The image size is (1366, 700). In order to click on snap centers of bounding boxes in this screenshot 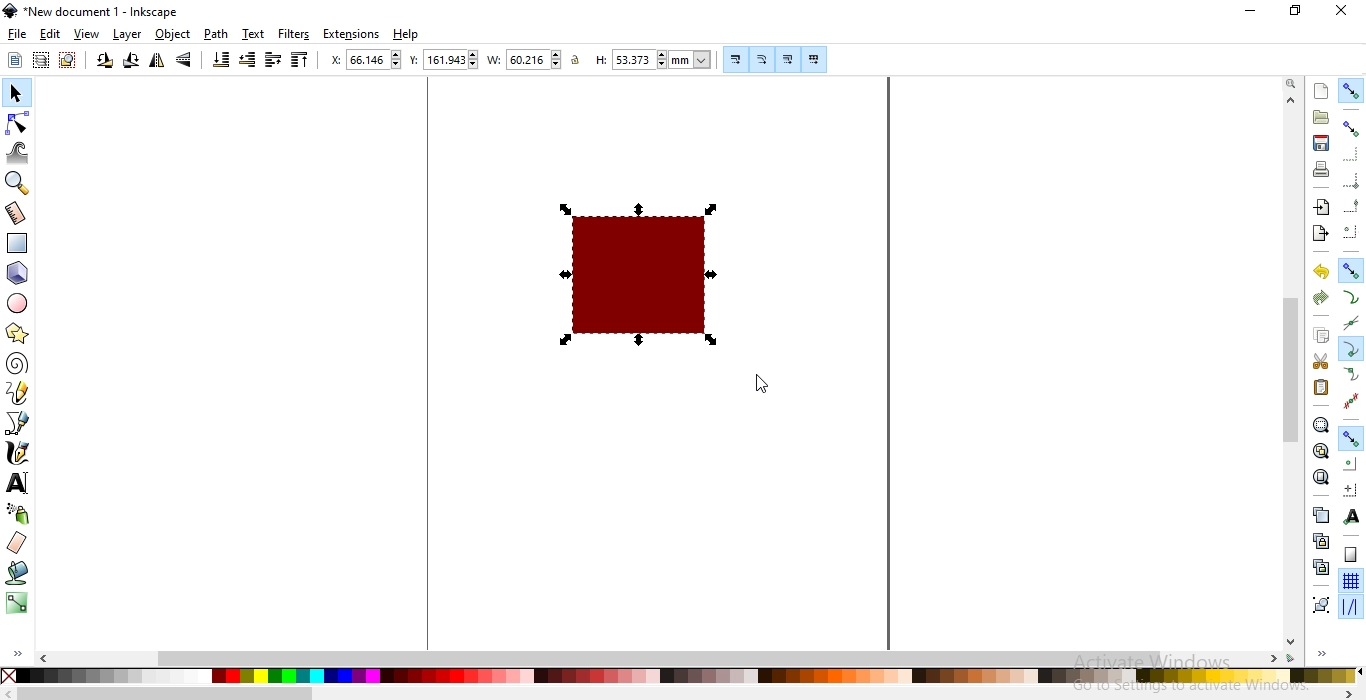, I will do `click(1352, 231)`.